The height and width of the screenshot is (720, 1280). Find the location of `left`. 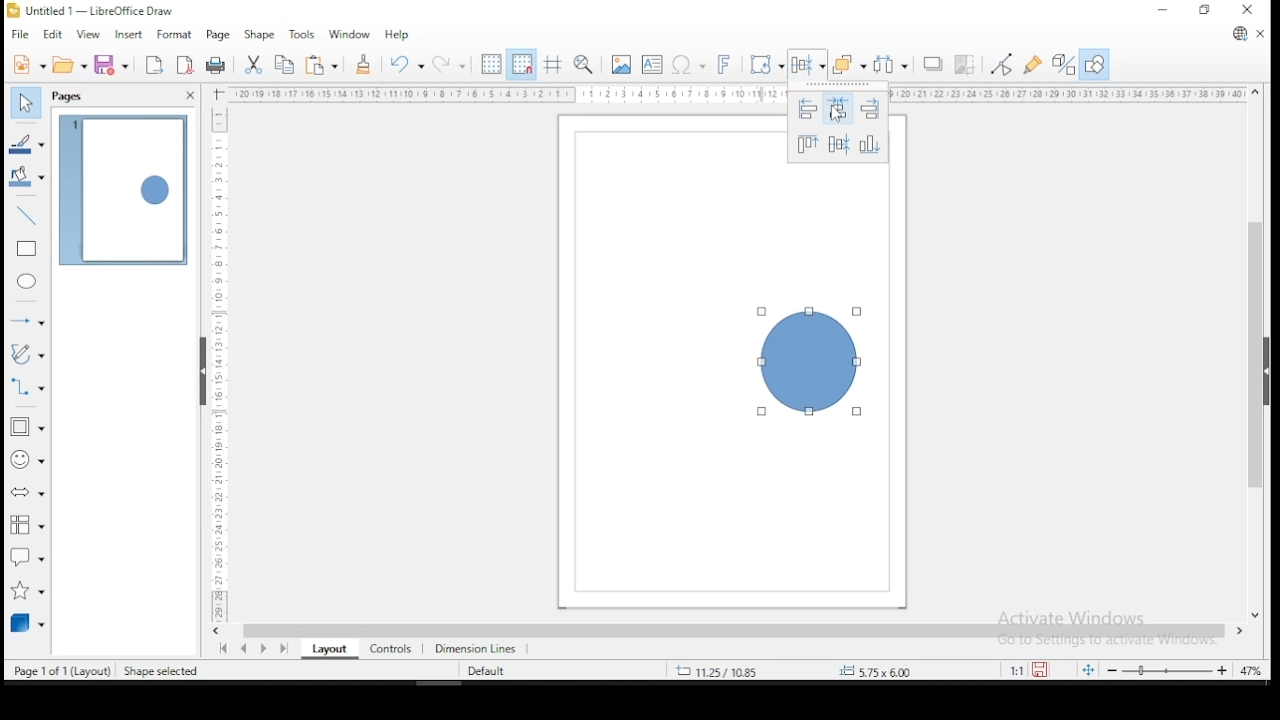

left is located at coordinates (804, 109).